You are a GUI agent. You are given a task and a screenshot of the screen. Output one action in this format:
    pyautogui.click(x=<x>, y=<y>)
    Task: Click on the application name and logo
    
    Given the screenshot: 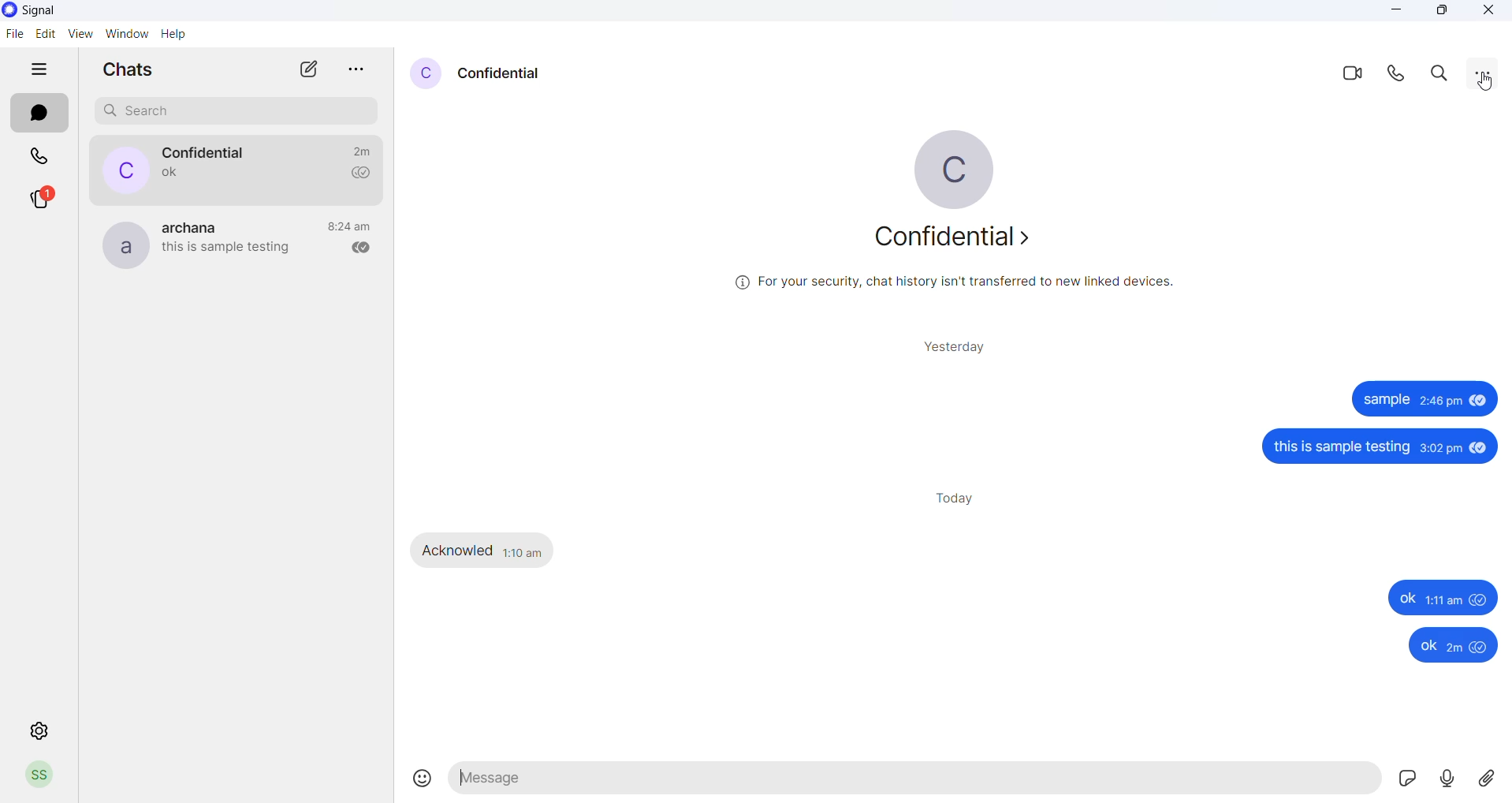 What is the action you would take?
    pyautogui.click(x=69, y=10)
    